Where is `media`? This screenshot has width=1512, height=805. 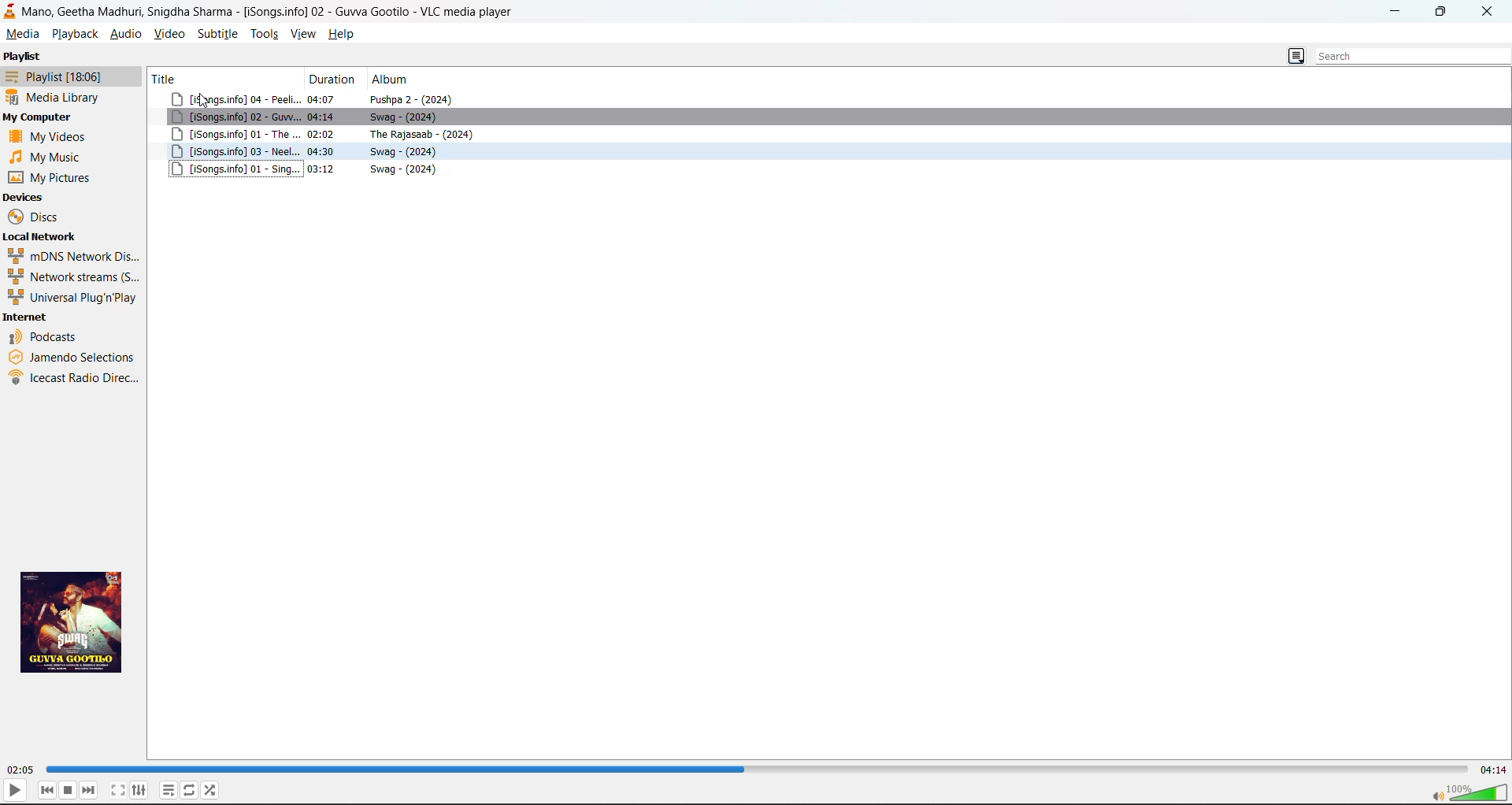
media is located at coordinates (22, 33).